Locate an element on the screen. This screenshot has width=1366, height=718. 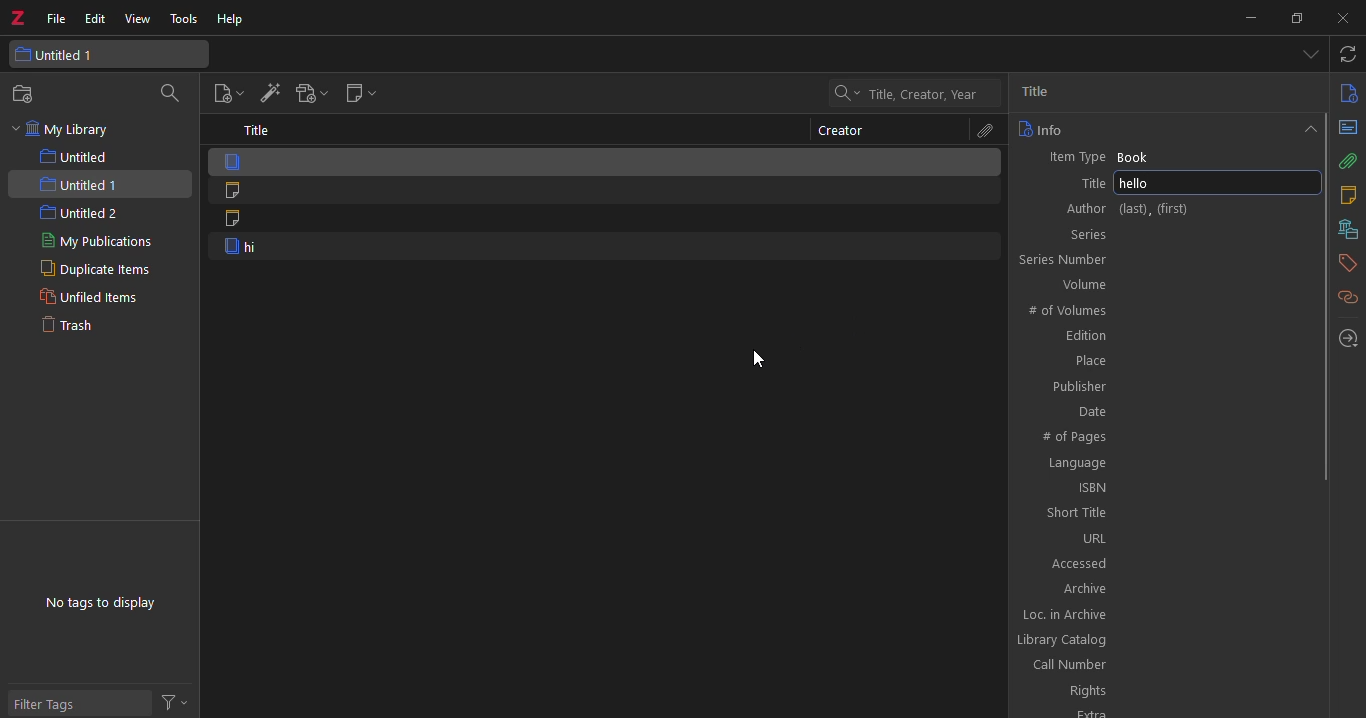
library is located at coordinates (1345, 229).